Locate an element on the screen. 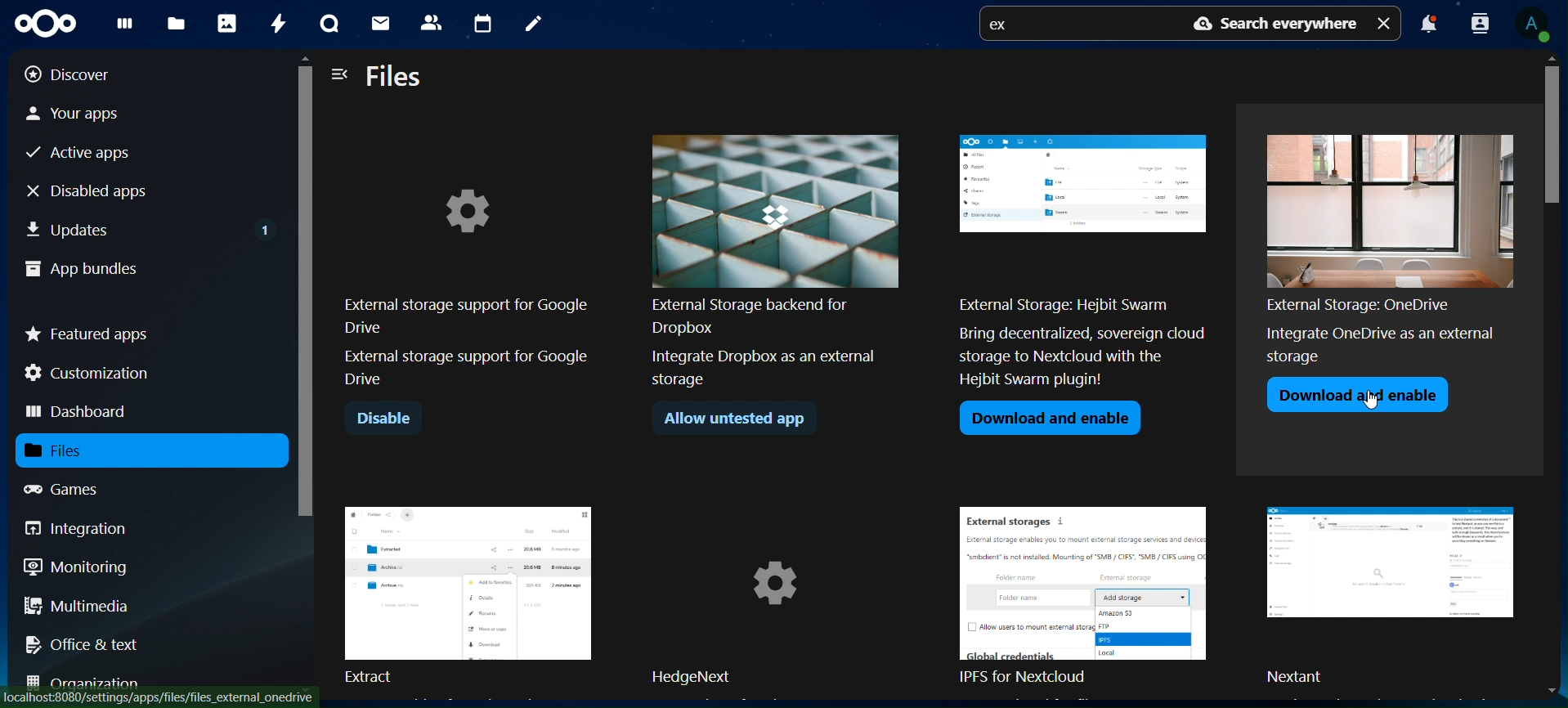  featured apps is located at coordinates (88, 330).